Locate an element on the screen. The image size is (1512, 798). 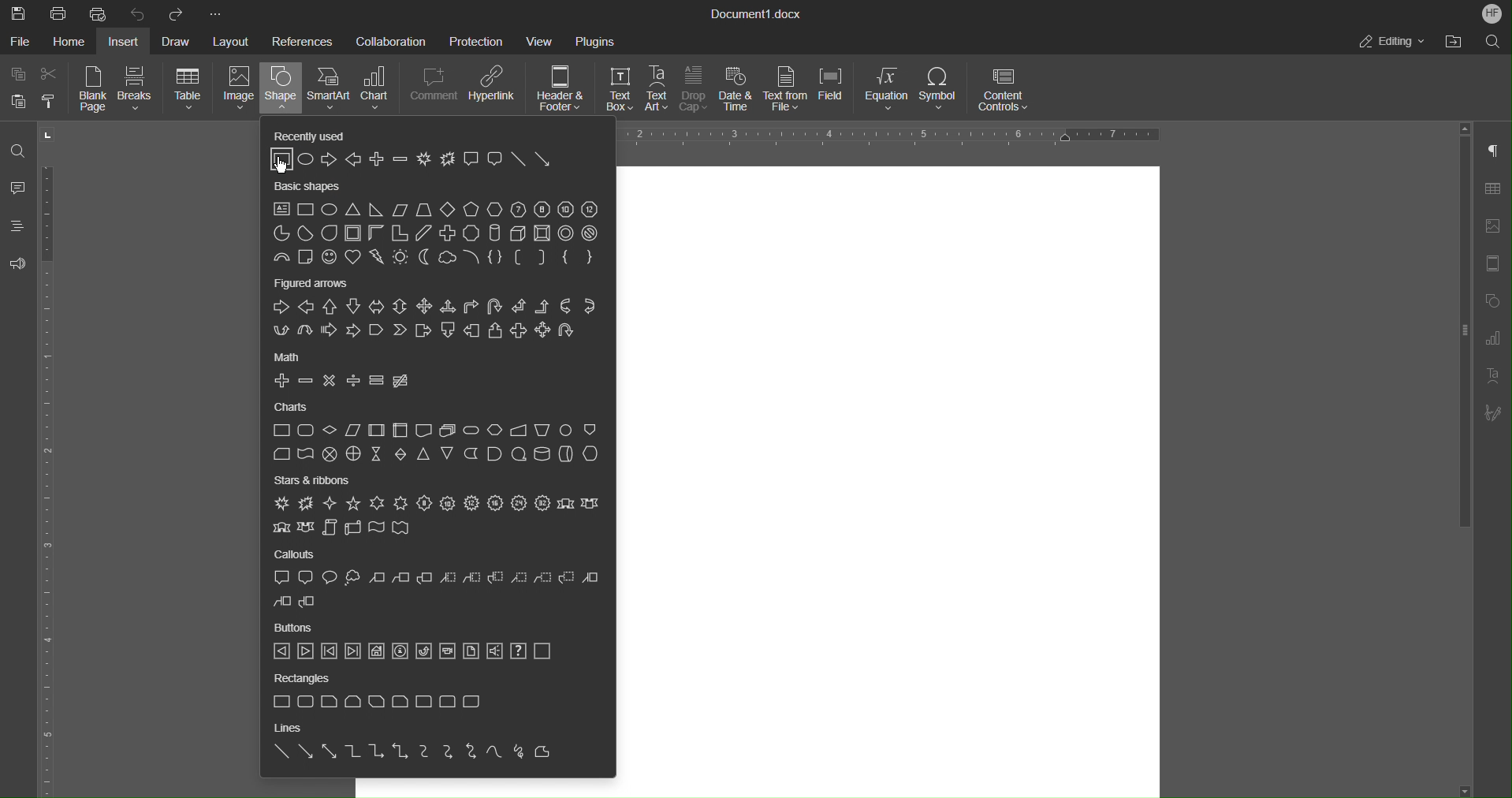
Horizontal Ruler is located at coordinates (54, 480).